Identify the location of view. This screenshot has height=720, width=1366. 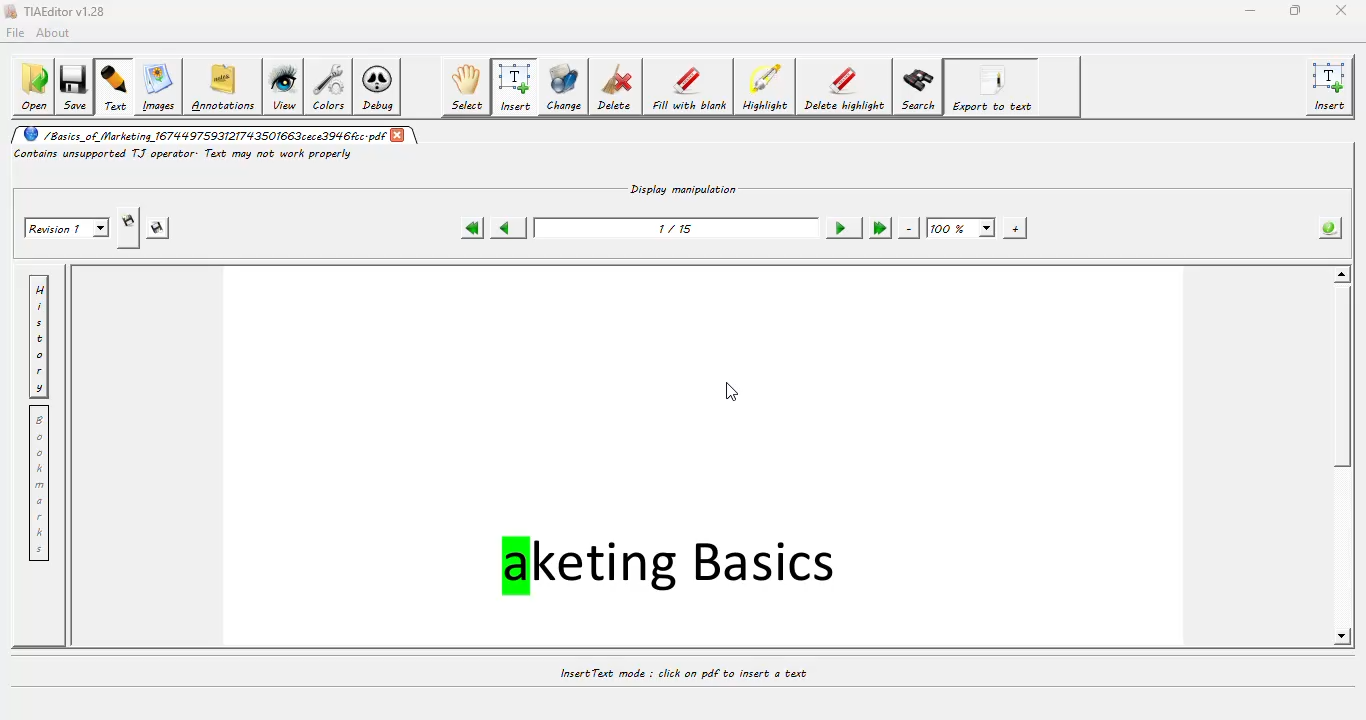
(286, 86).